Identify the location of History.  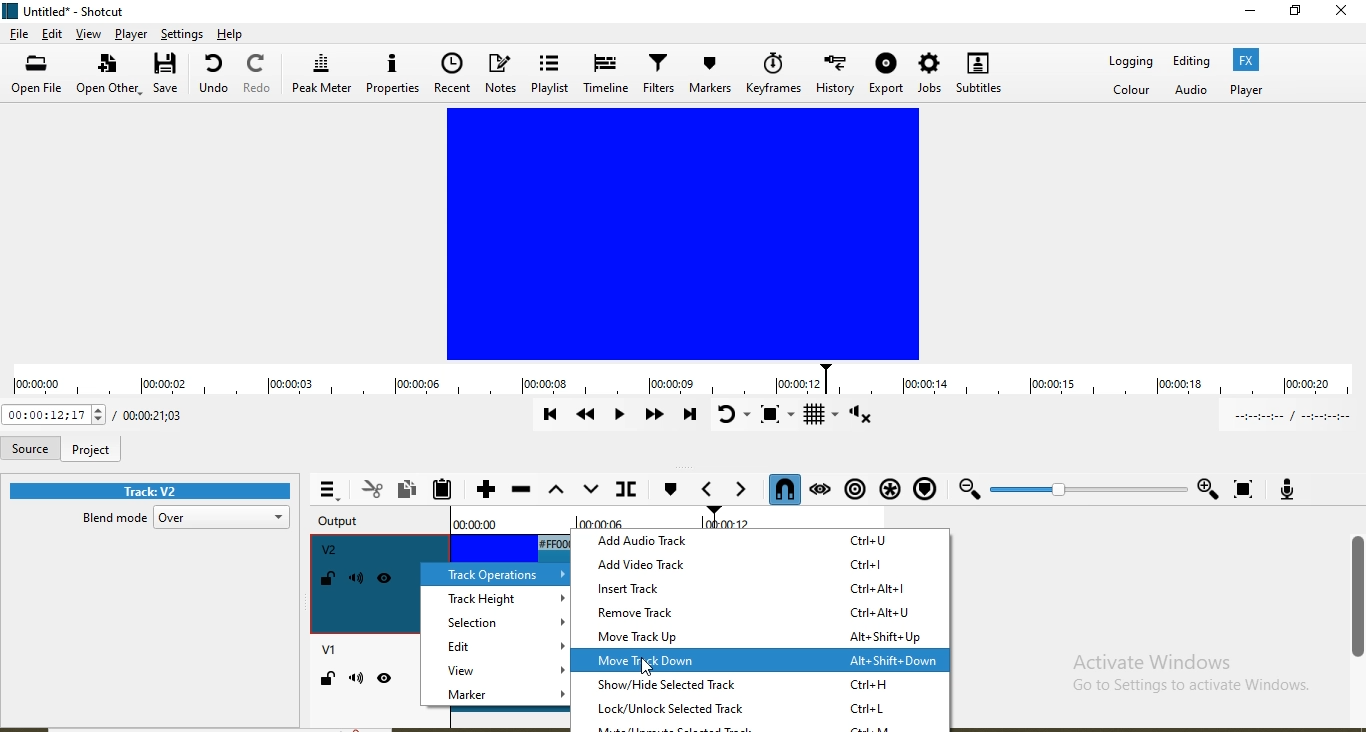
(833, 77).